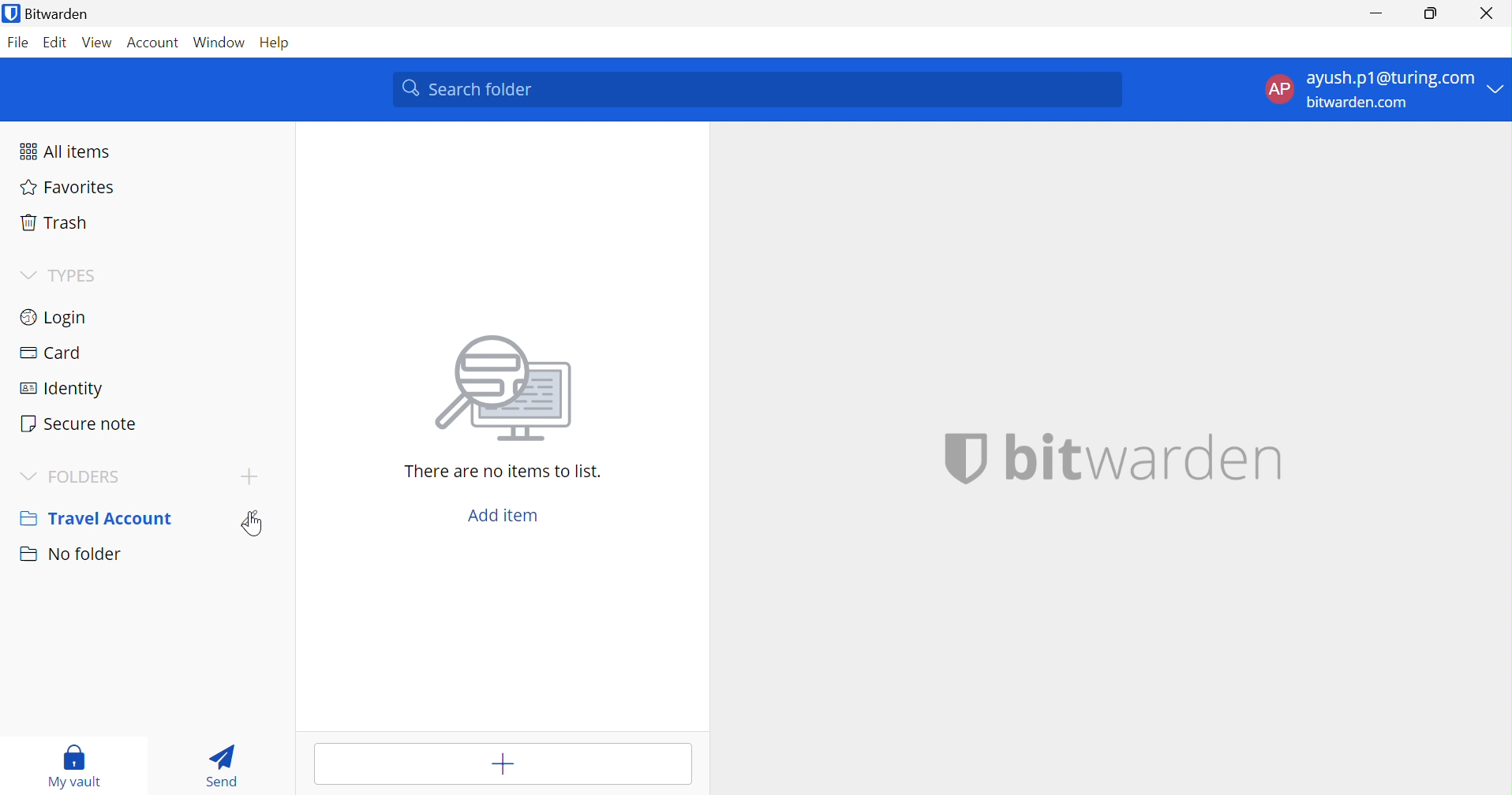 This screenshot has width=1512, height=795. Describe the element at coordinates (83, 422) in the screenshot. I see `Secure note` at that location.